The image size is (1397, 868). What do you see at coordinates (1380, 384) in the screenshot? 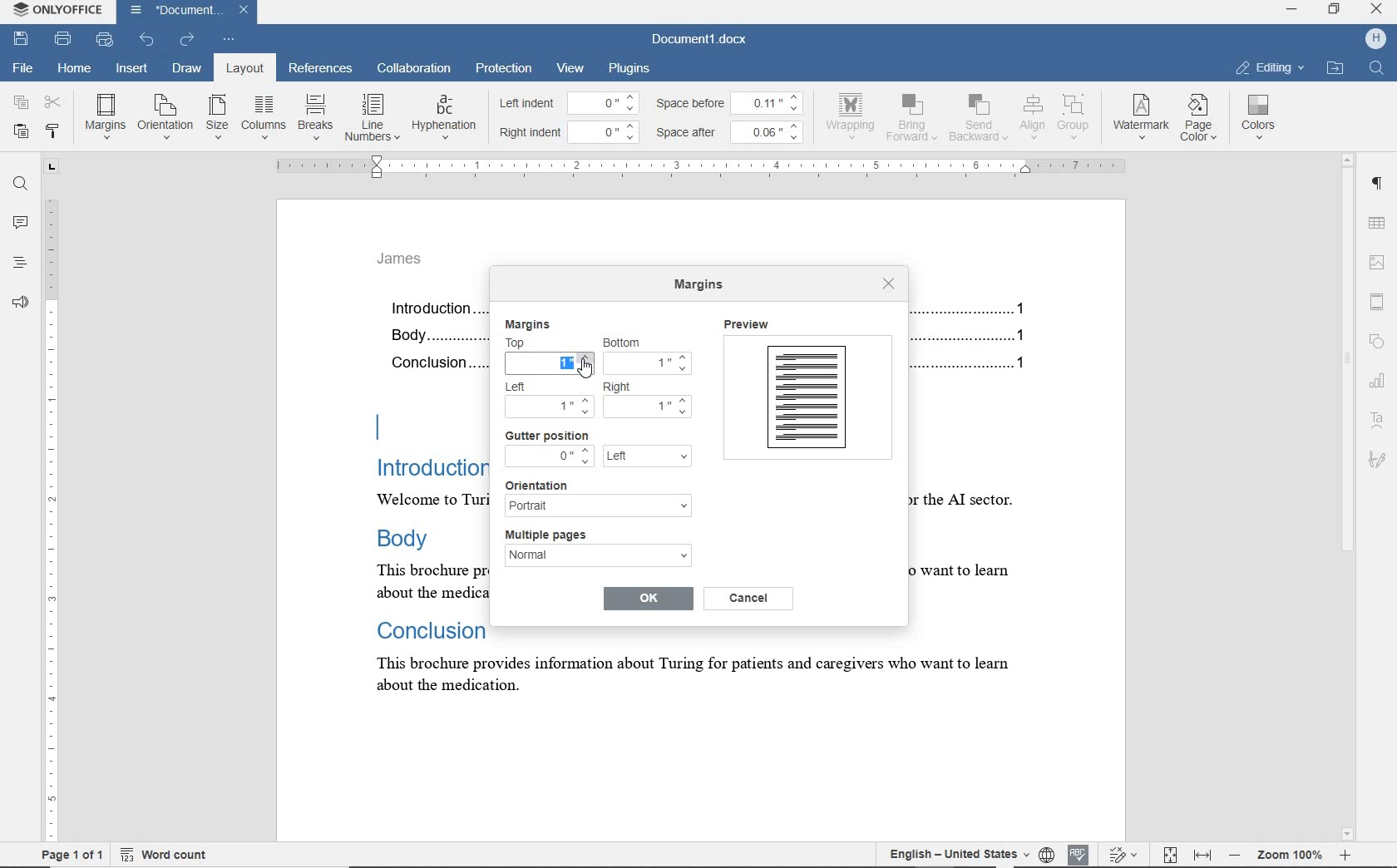
I see `chart` at bounding box center [1380, 384].